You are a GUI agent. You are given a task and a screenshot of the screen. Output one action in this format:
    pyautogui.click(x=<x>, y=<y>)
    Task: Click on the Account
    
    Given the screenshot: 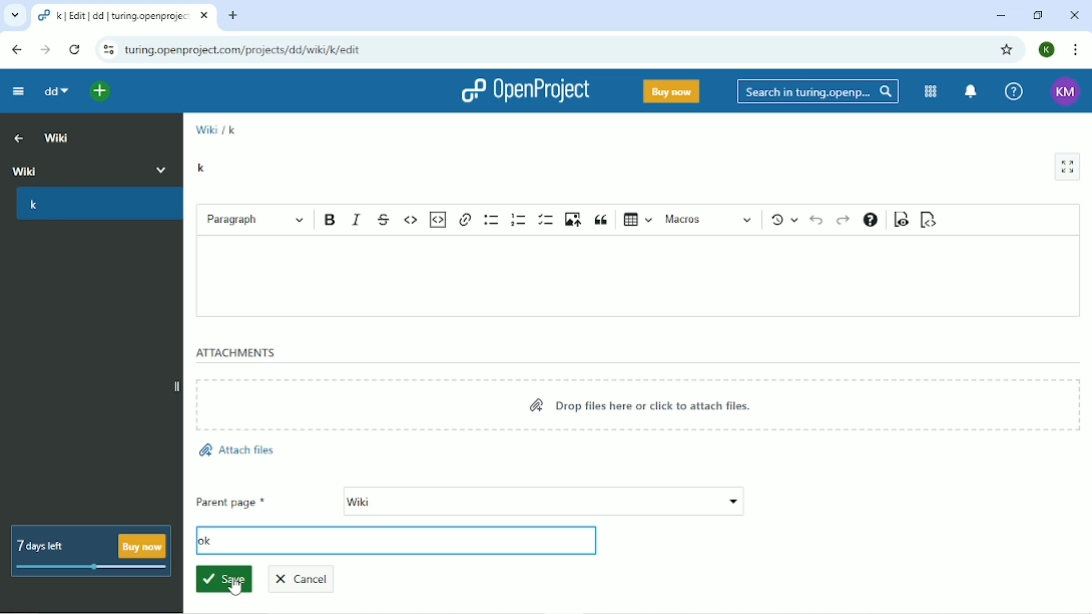 What is the action you would take?
    pyautogui.click(x=1047, y=49)
    